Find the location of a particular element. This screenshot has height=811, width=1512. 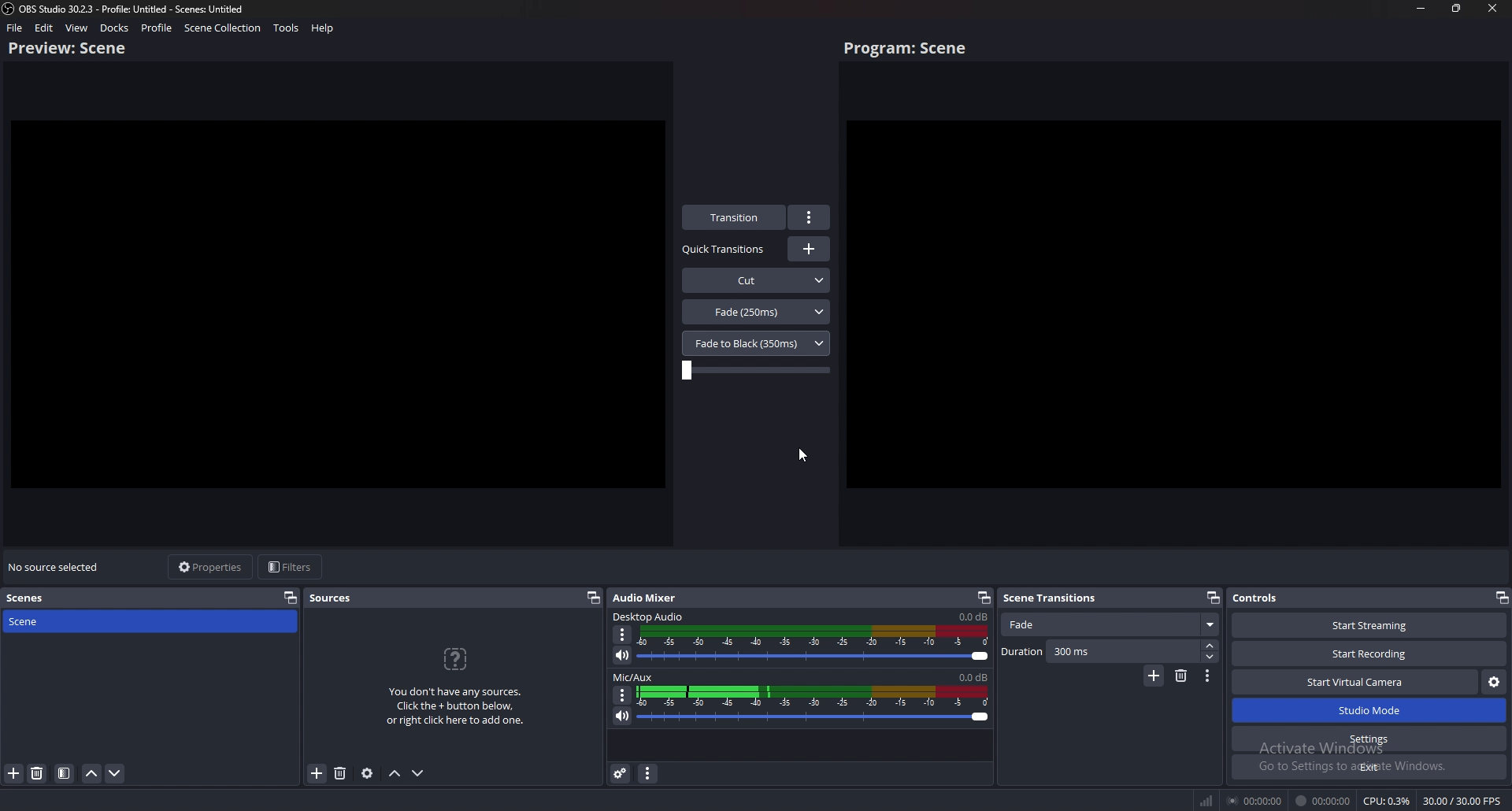

Controls is located at coordinates (1279, 598).